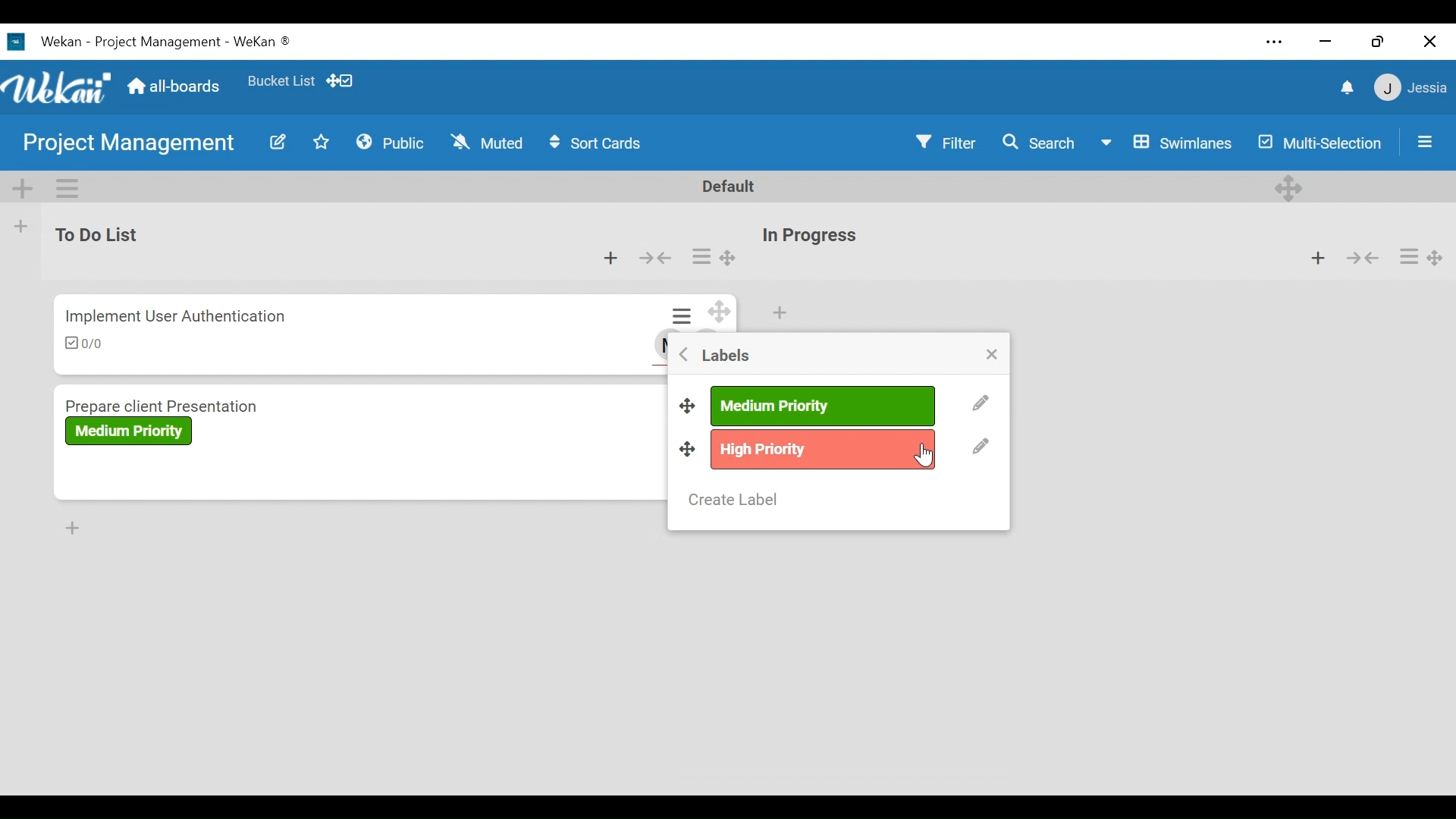  Describe the element at coordinates (980, 404) in the screenshot. I see `Edit` at that location.